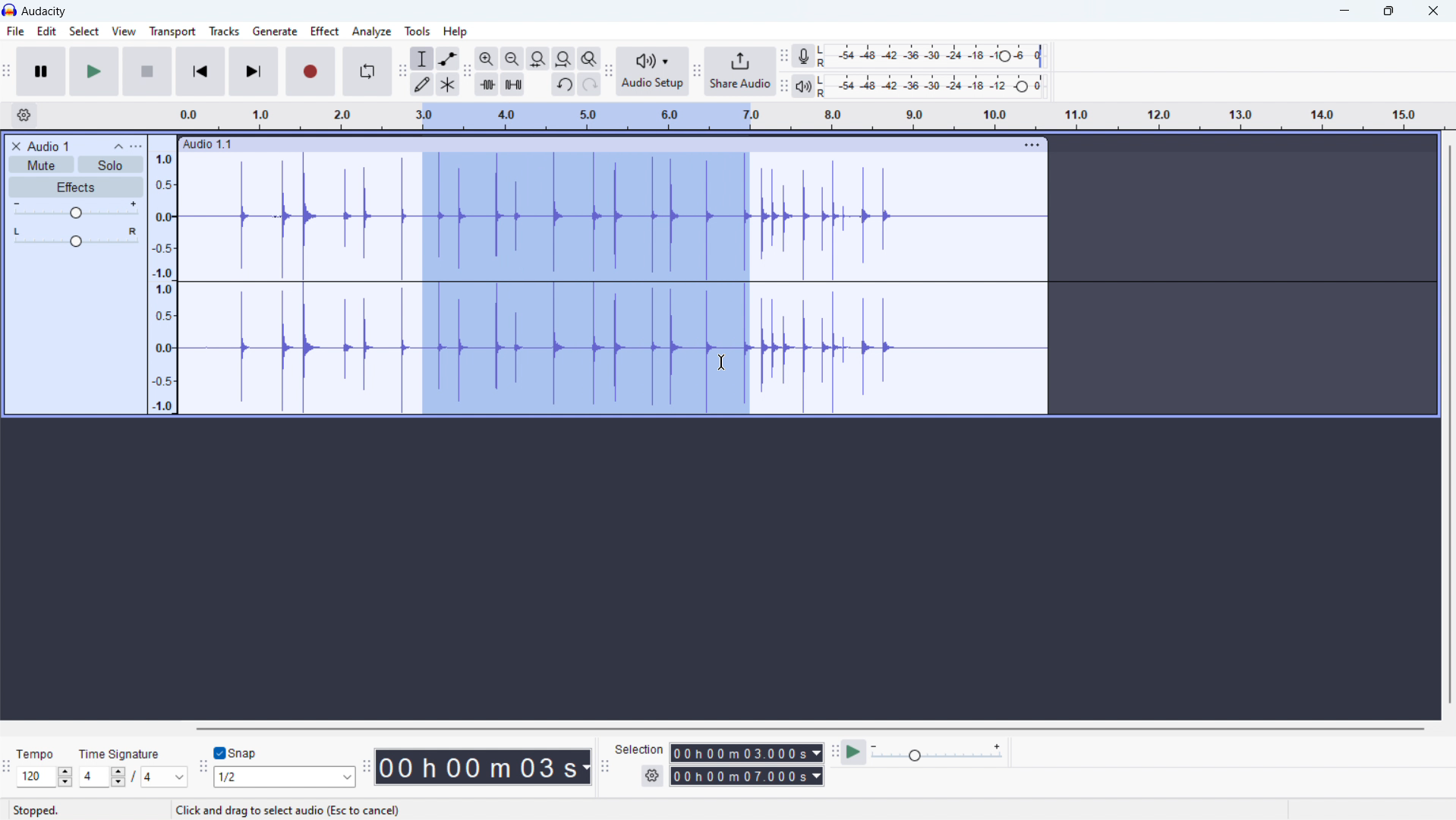  Describe the element at coordinates (200, 71) in the screenshot. I see `skip to start` at that location.